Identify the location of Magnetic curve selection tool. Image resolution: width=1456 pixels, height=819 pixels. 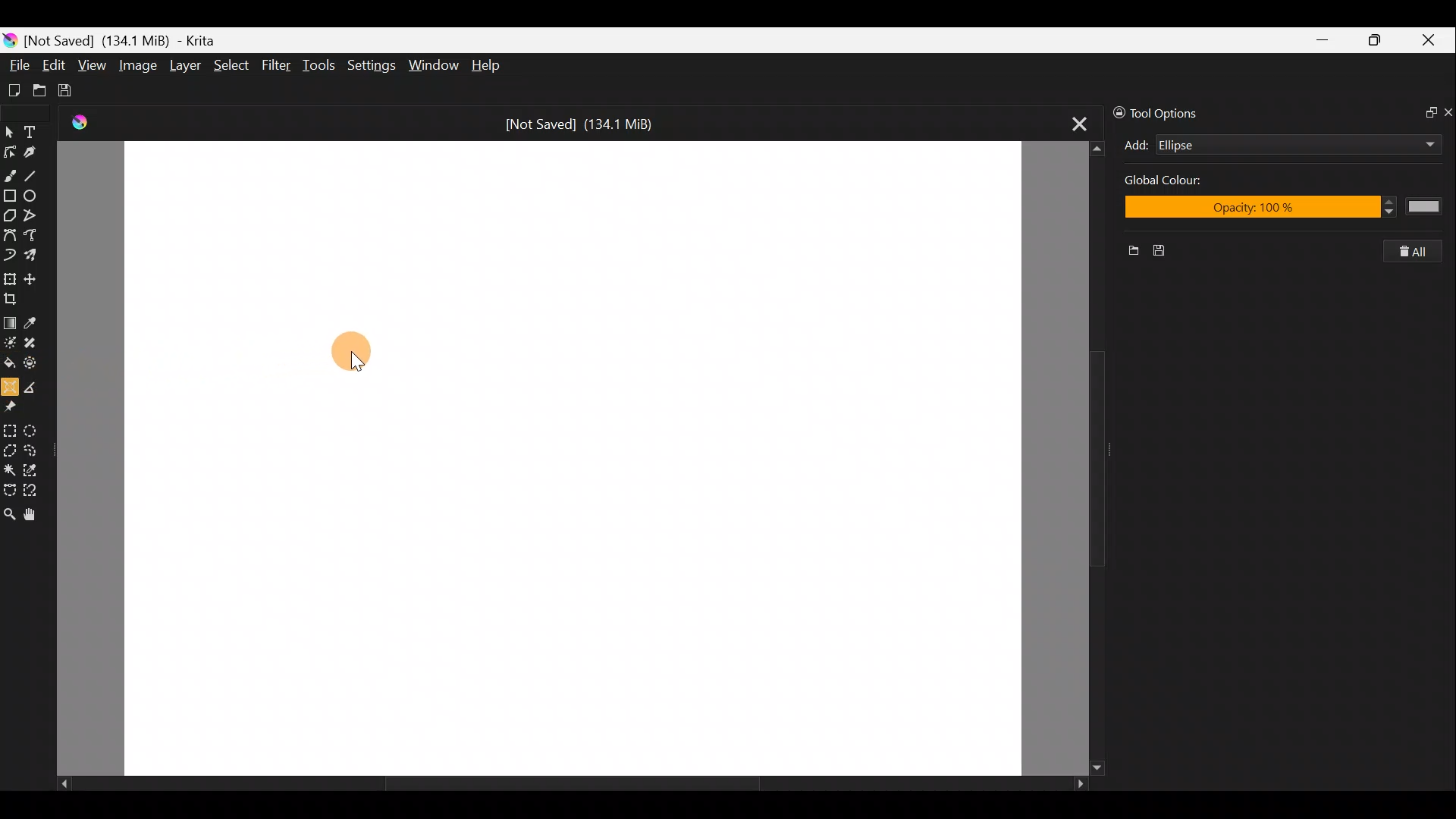
(36, 488).